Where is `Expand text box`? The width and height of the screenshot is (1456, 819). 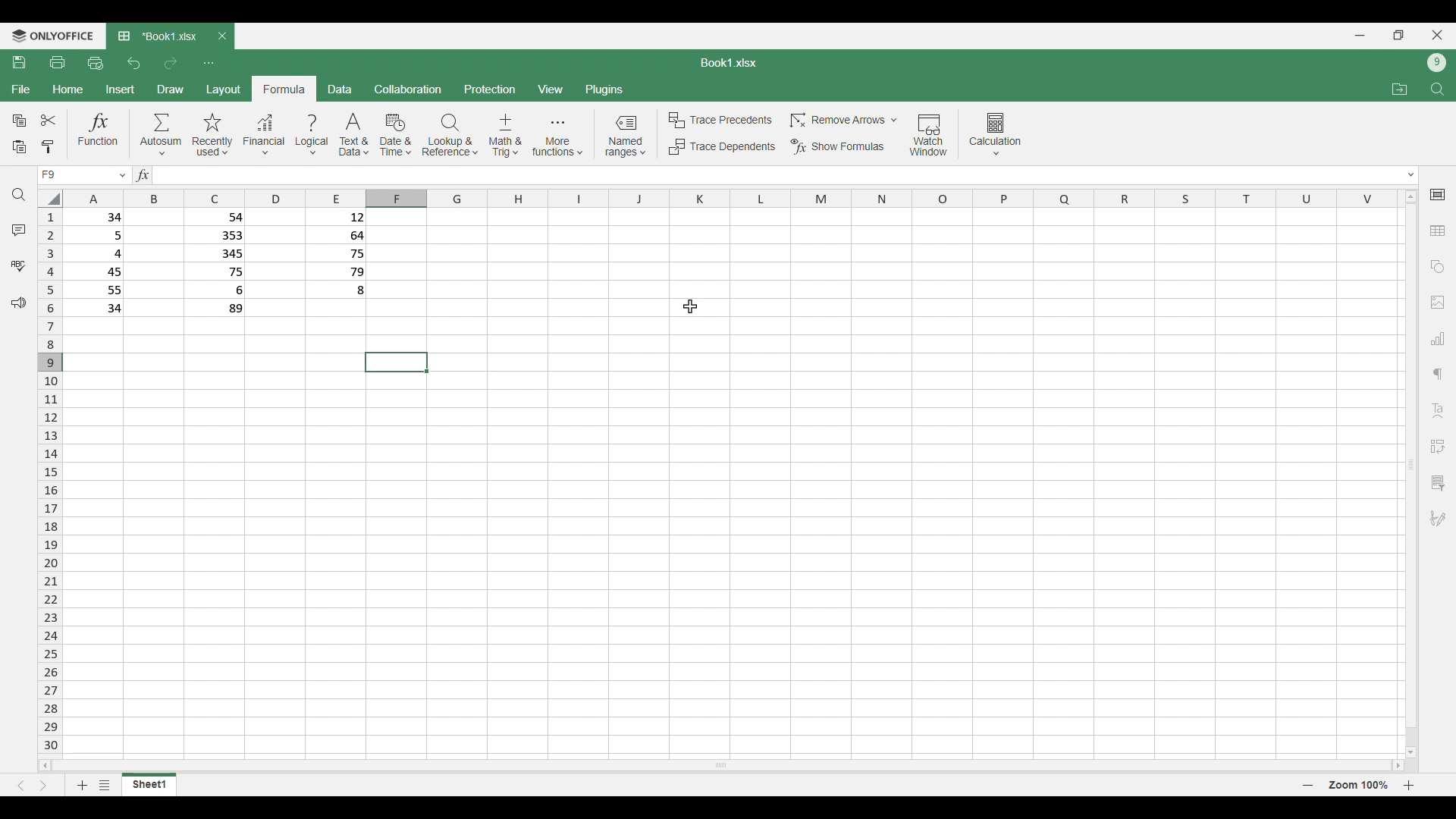
Expand text box is located at coordinates (1412, 175).